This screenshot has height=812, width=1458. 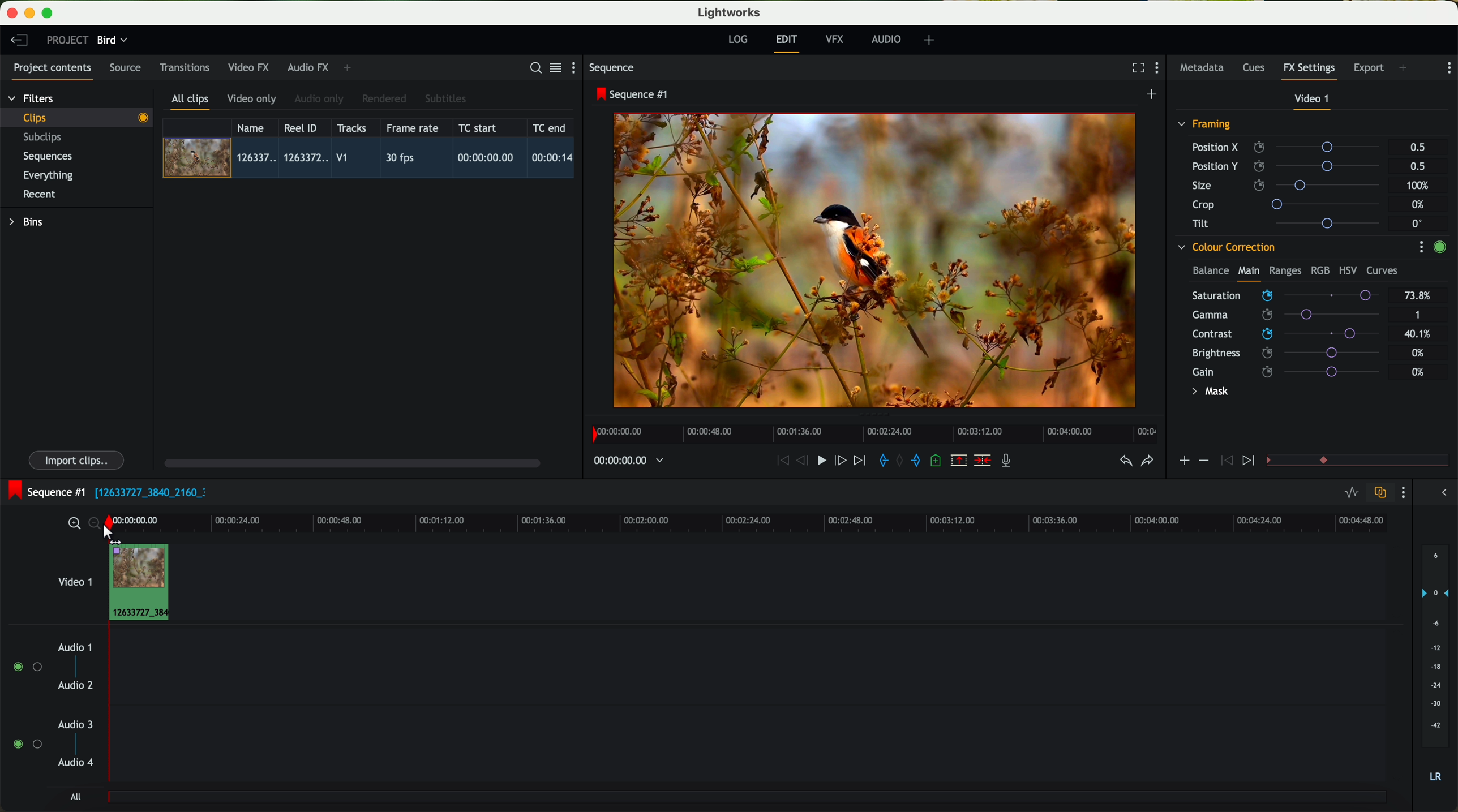 What do you see at coordinates (44, 492) in the screenshot?
I see `sequence #1` at bounding box center [44, 492].